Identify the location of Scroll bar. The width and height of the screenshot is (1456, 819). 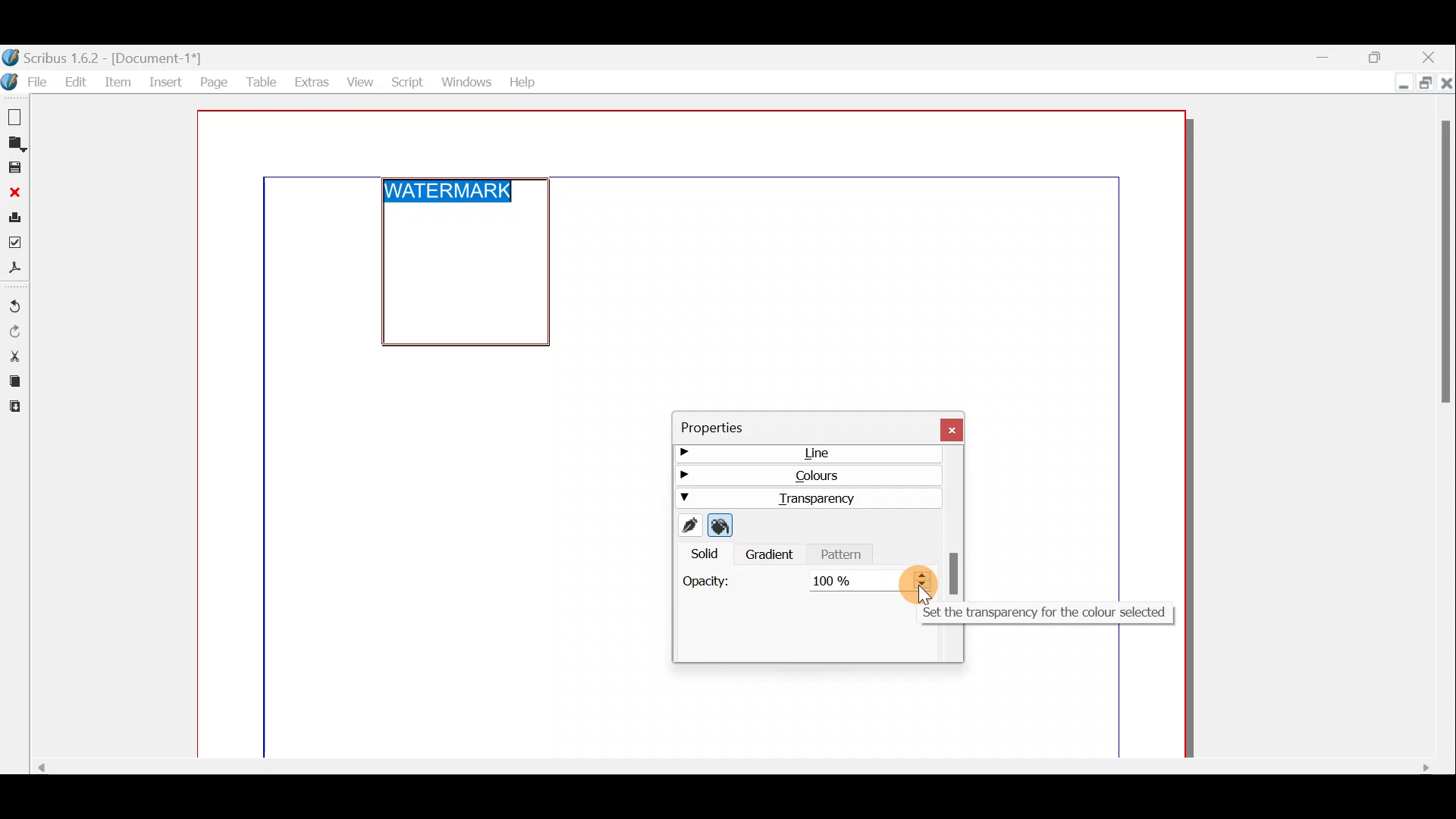
(1445, 429).